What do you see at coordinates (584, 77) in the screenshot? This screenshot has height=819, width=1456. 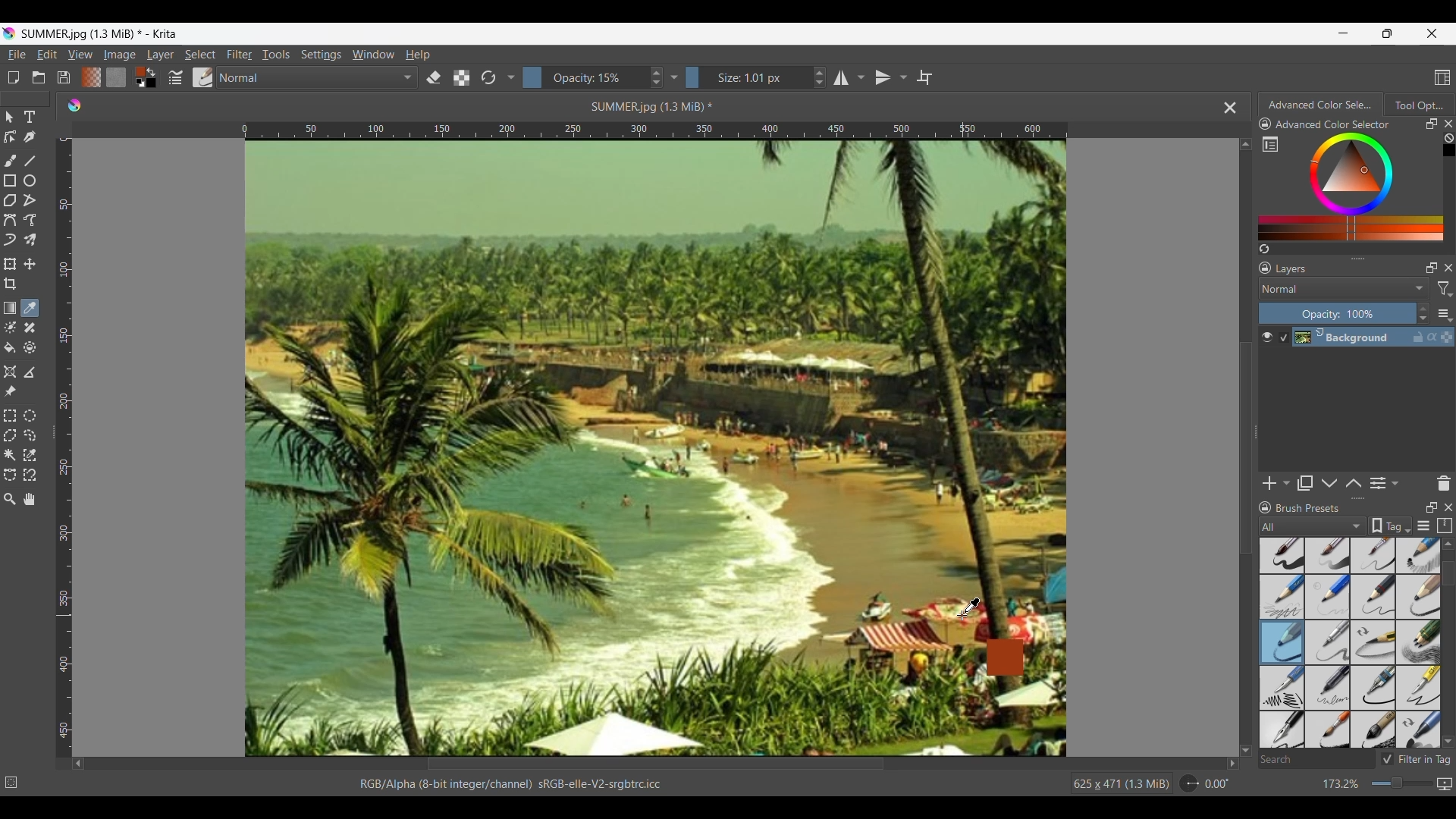 I see `Opacity: 15%` at bounding box center [584, 77].